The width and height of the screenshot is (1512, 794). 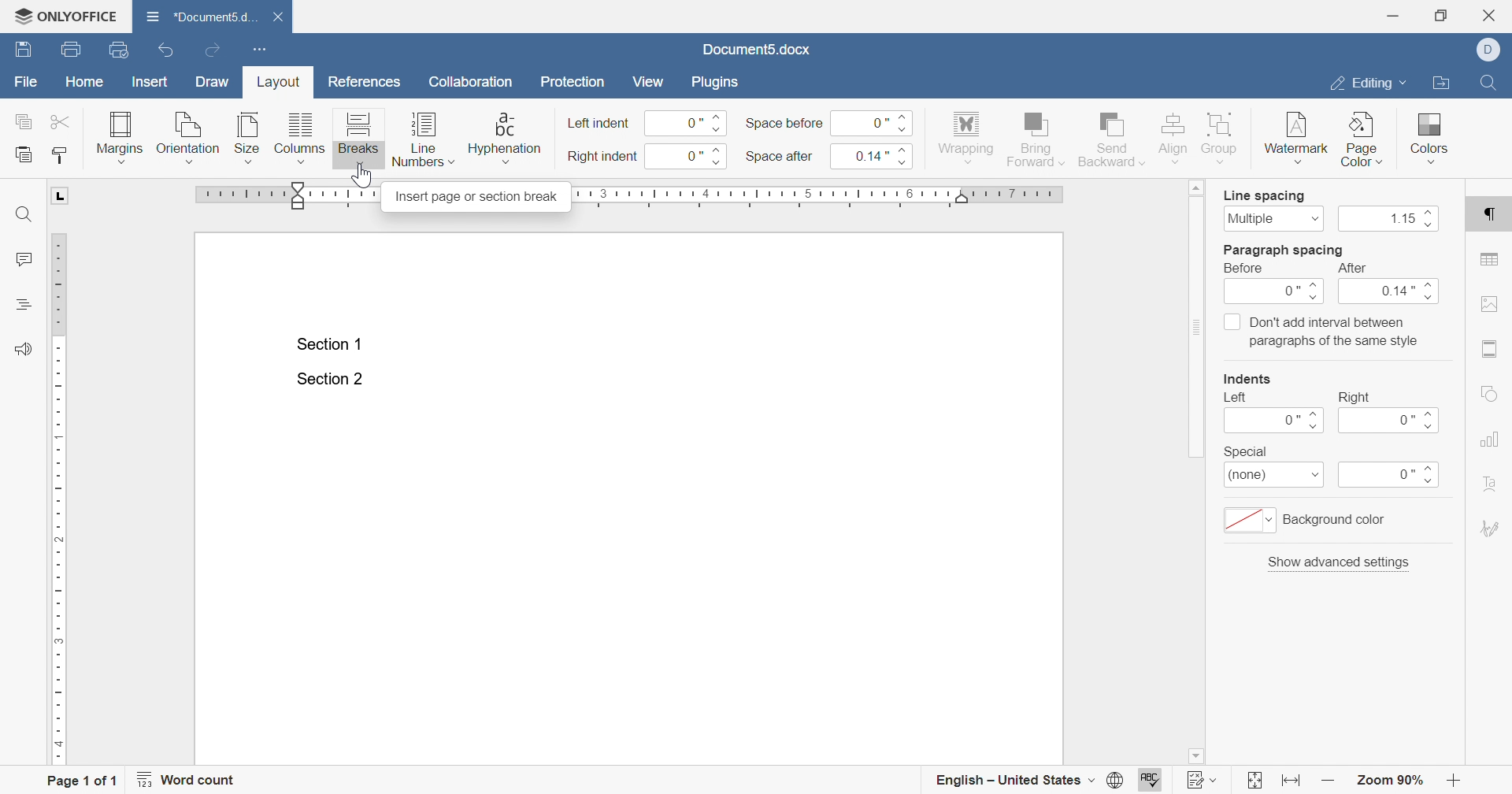 I want to click on quick print, so click(x=121, y=49).